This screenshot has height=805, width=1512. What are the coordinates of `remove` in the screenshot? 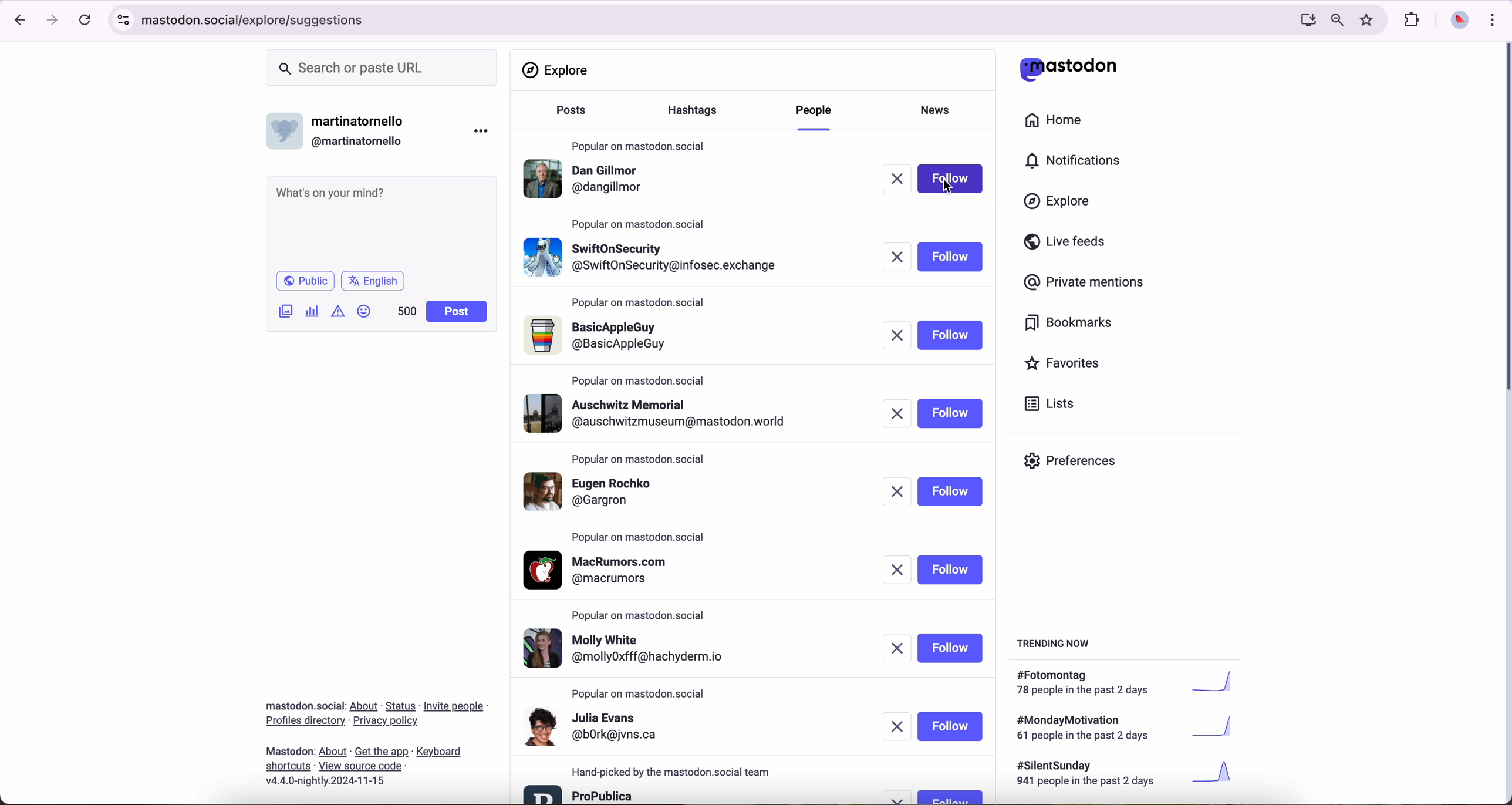 It's located at (897, 649).